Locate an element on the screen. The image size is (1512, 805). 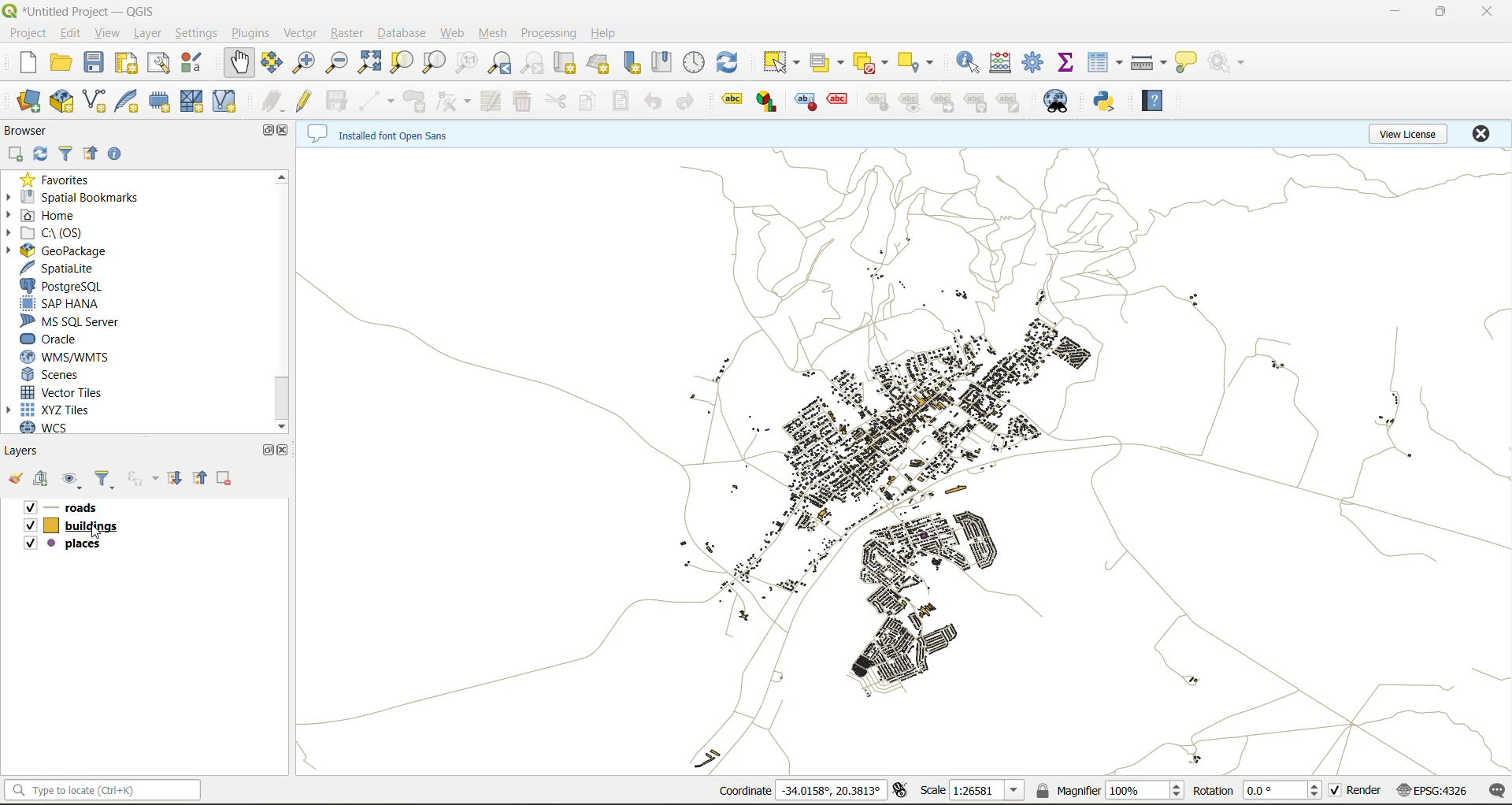
statistical summary is located at coordinates (1071, 62).